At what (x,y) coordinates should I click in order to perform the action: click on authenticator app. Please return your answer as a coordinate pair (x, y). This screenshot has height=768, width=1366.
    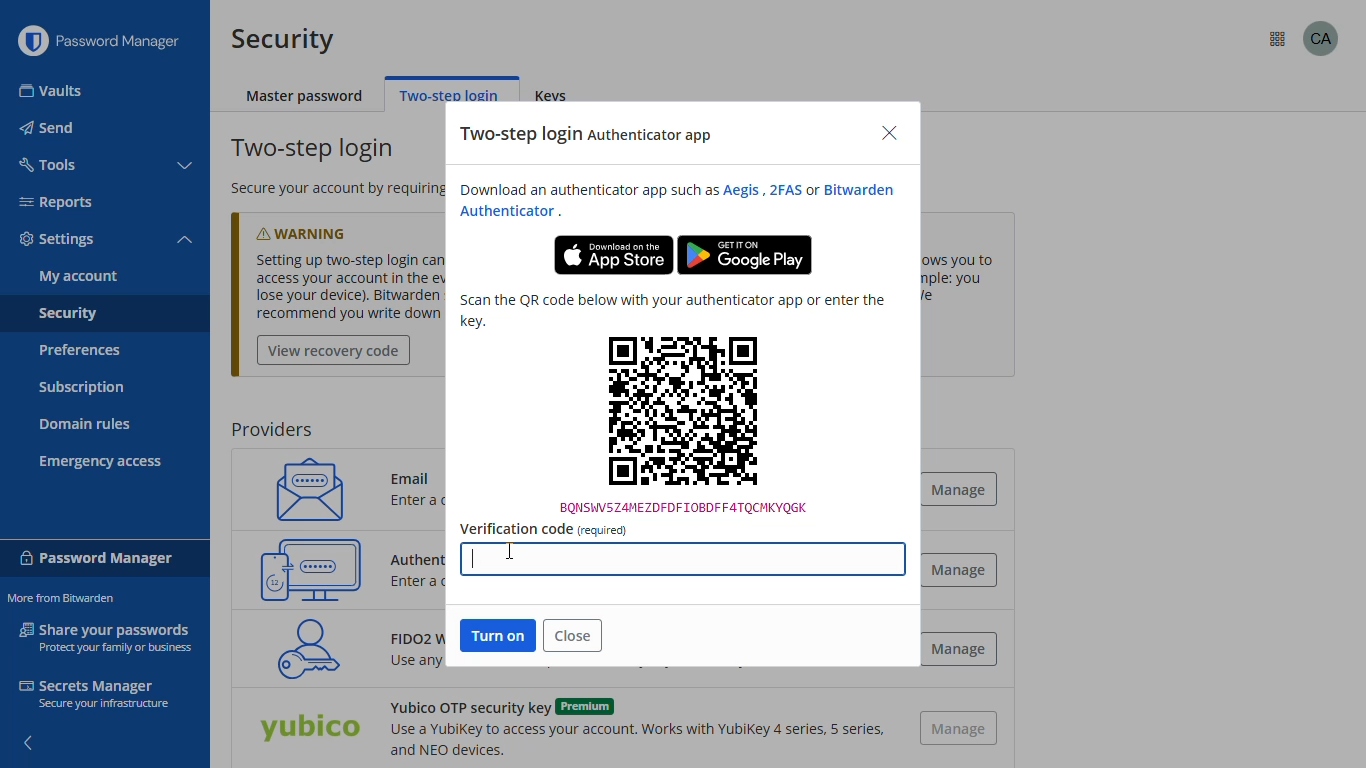
    Looking at the image, I should click on (311, 569).